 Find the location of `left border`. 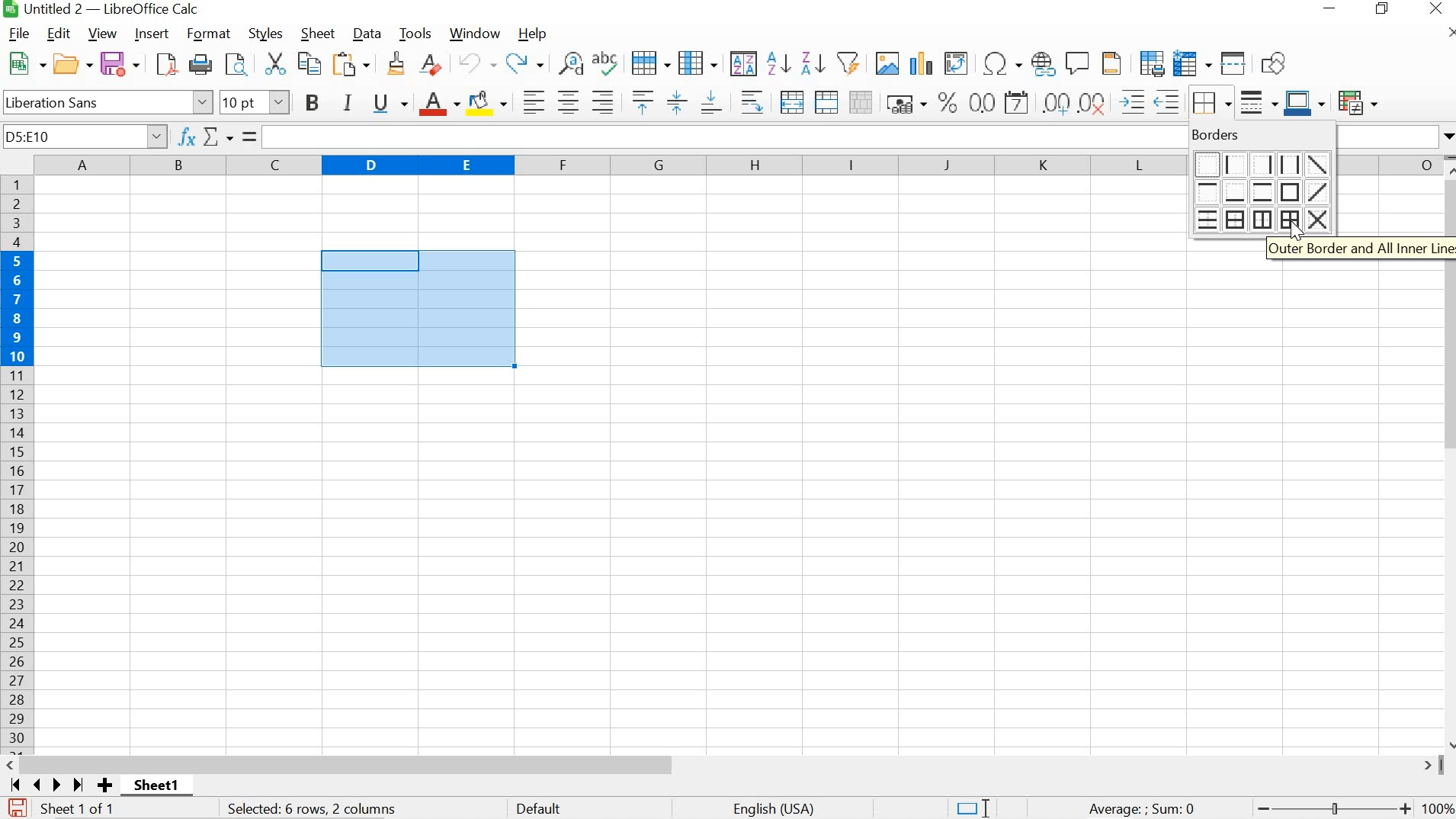

left border is located at coordinates (1236, 163).